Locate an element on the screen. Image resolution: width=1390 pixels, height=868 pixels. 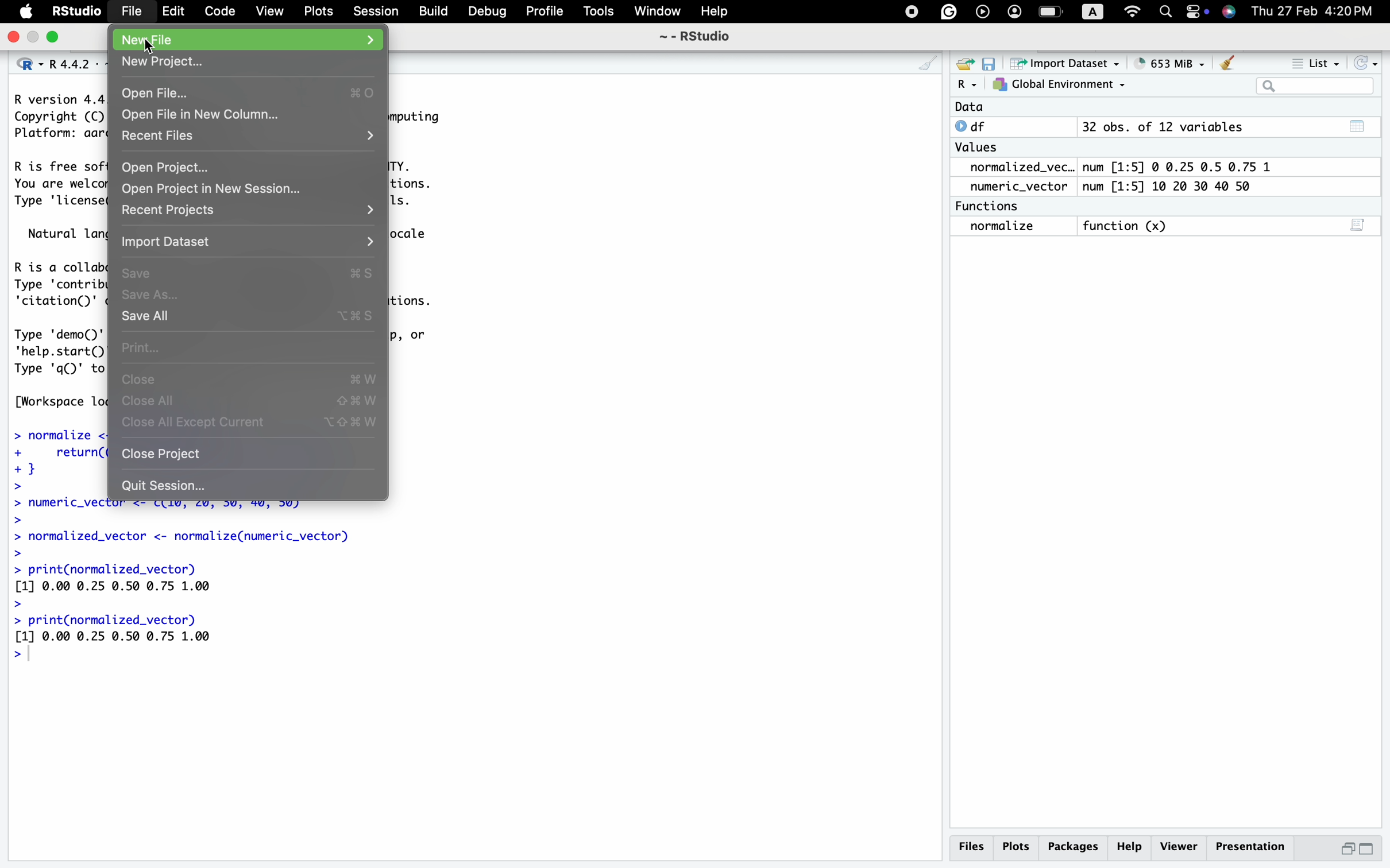
Plots is located at coordinates (1017, 846).